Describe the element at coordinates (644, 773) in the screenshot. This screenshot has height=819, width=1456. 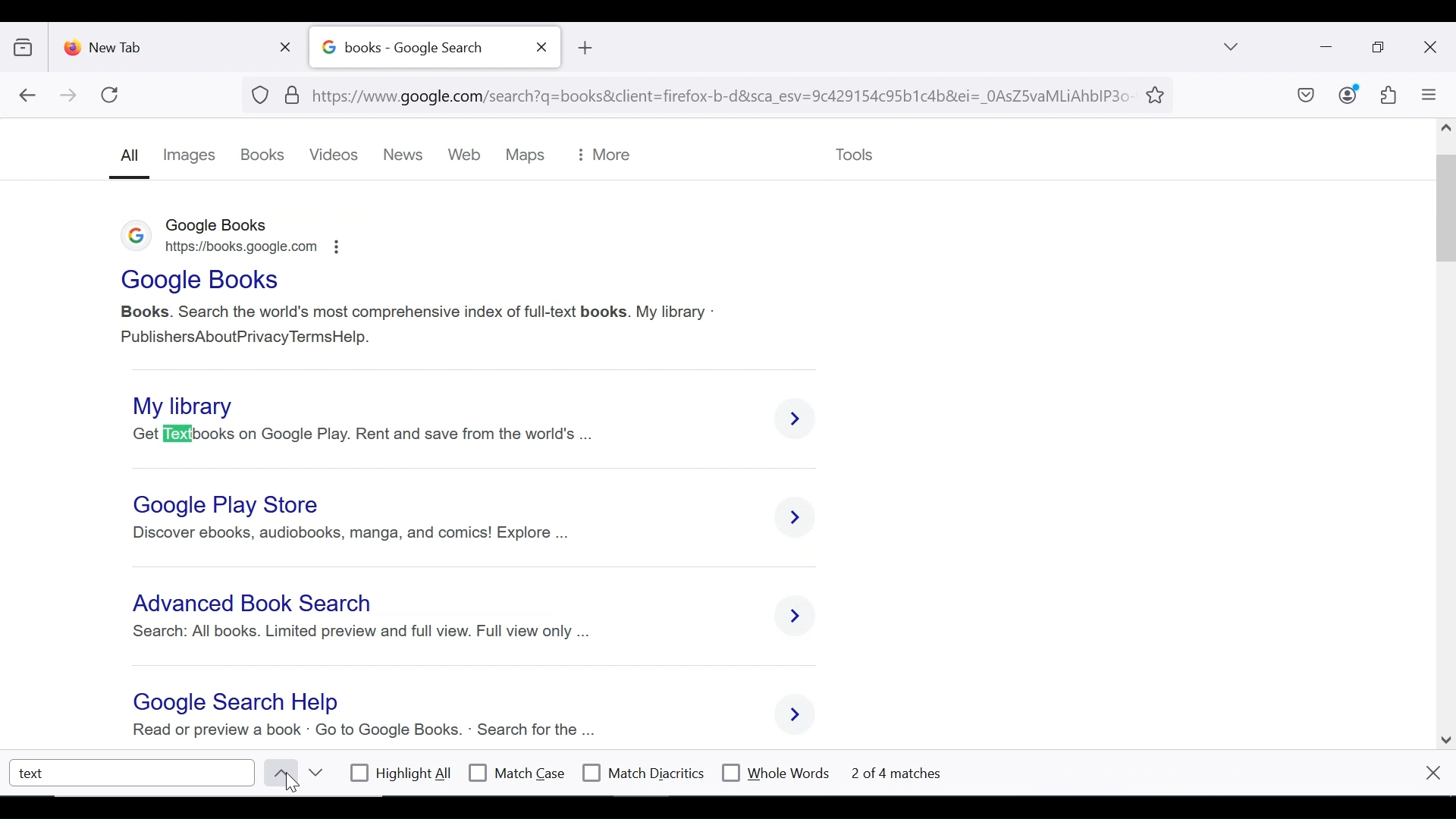
I see `match diacritics` at that location.